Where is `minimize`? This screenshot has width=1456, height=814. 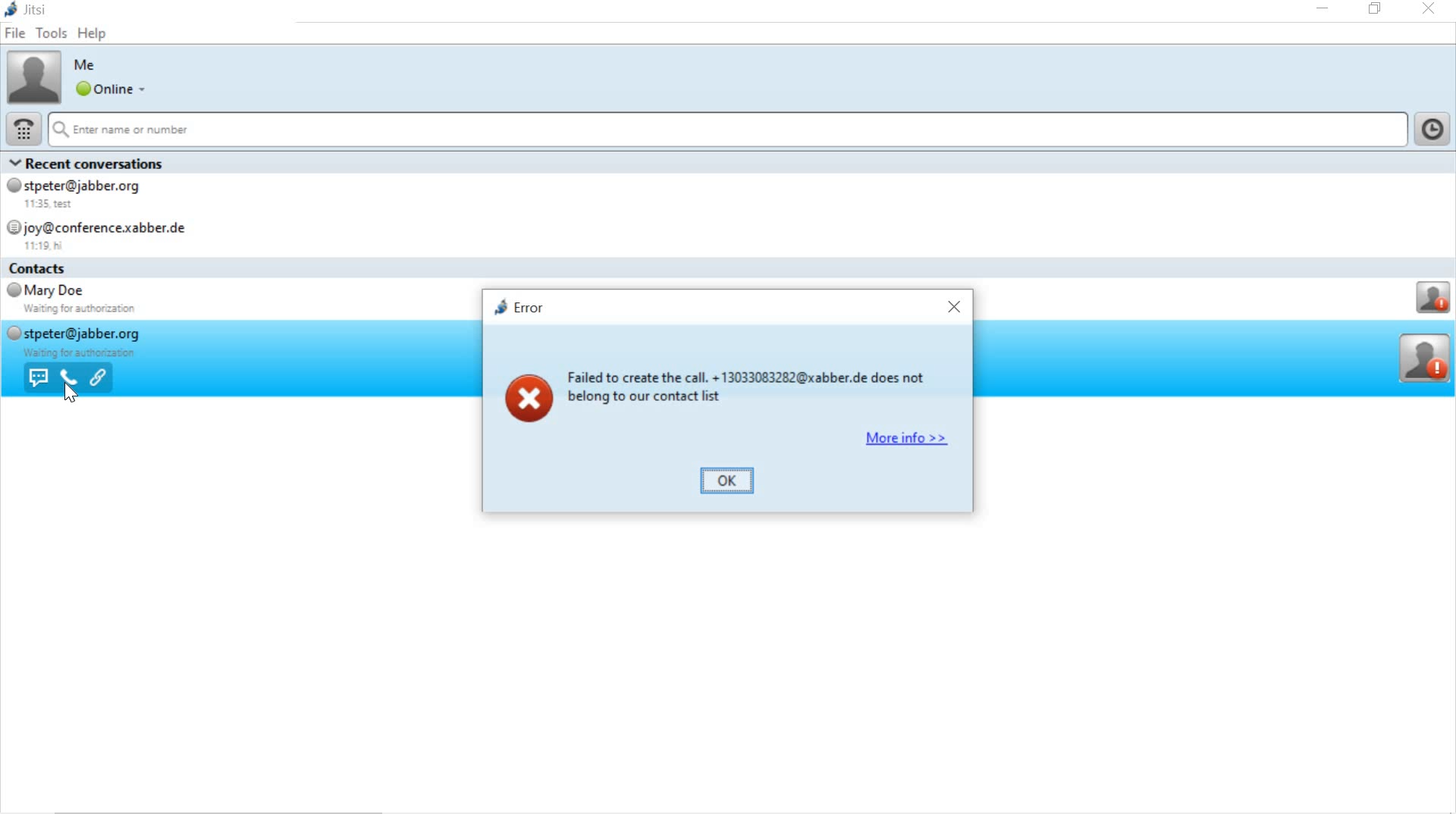
minimize is located at coordinates (1320, 11).